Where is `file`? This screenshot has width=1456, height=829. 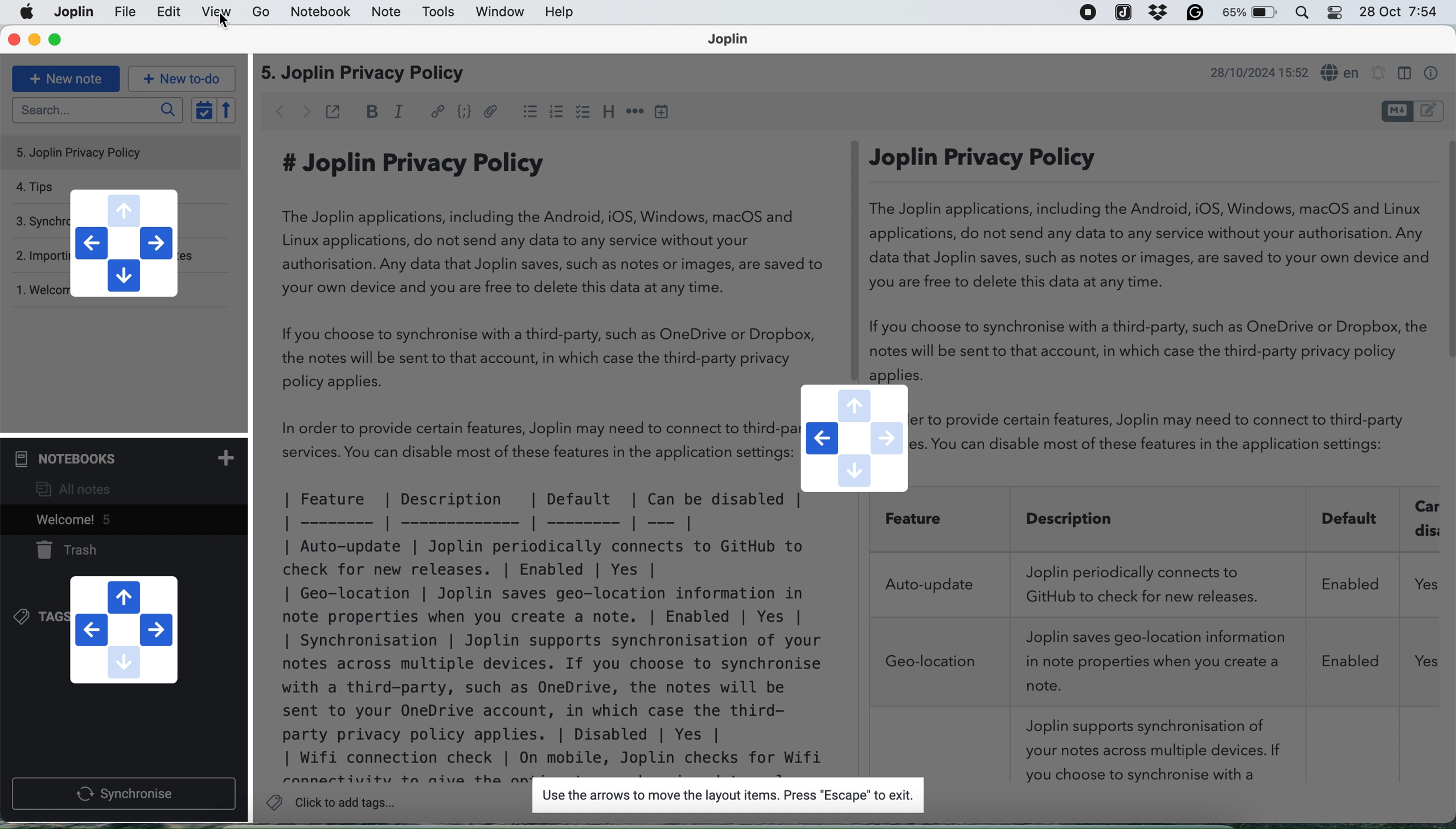 file is located at coordinates (72, 12).